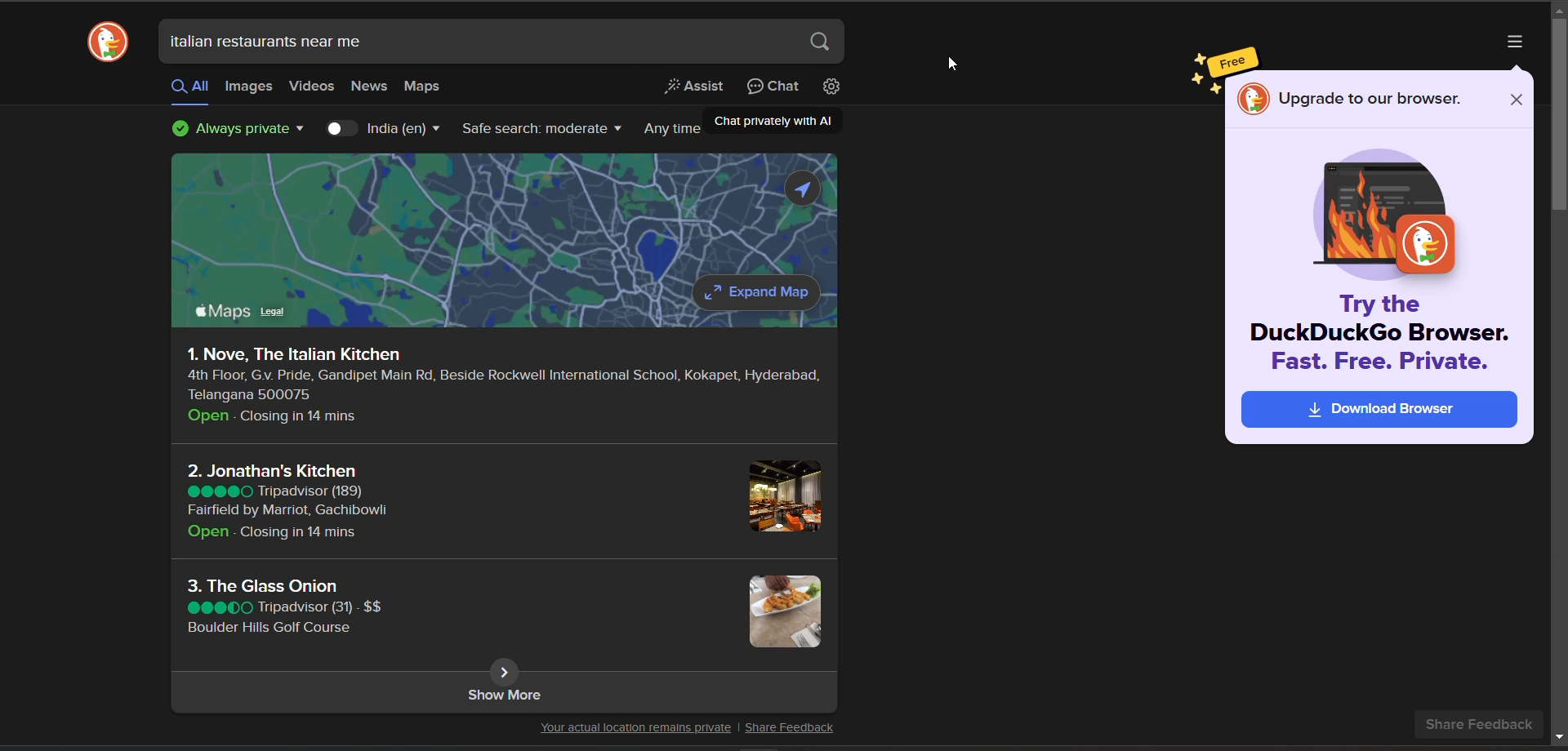 The image size is (1568, 751). Describe the element at coordinates (542, 128) in the screenshot. I see `safe search filter` at that location.